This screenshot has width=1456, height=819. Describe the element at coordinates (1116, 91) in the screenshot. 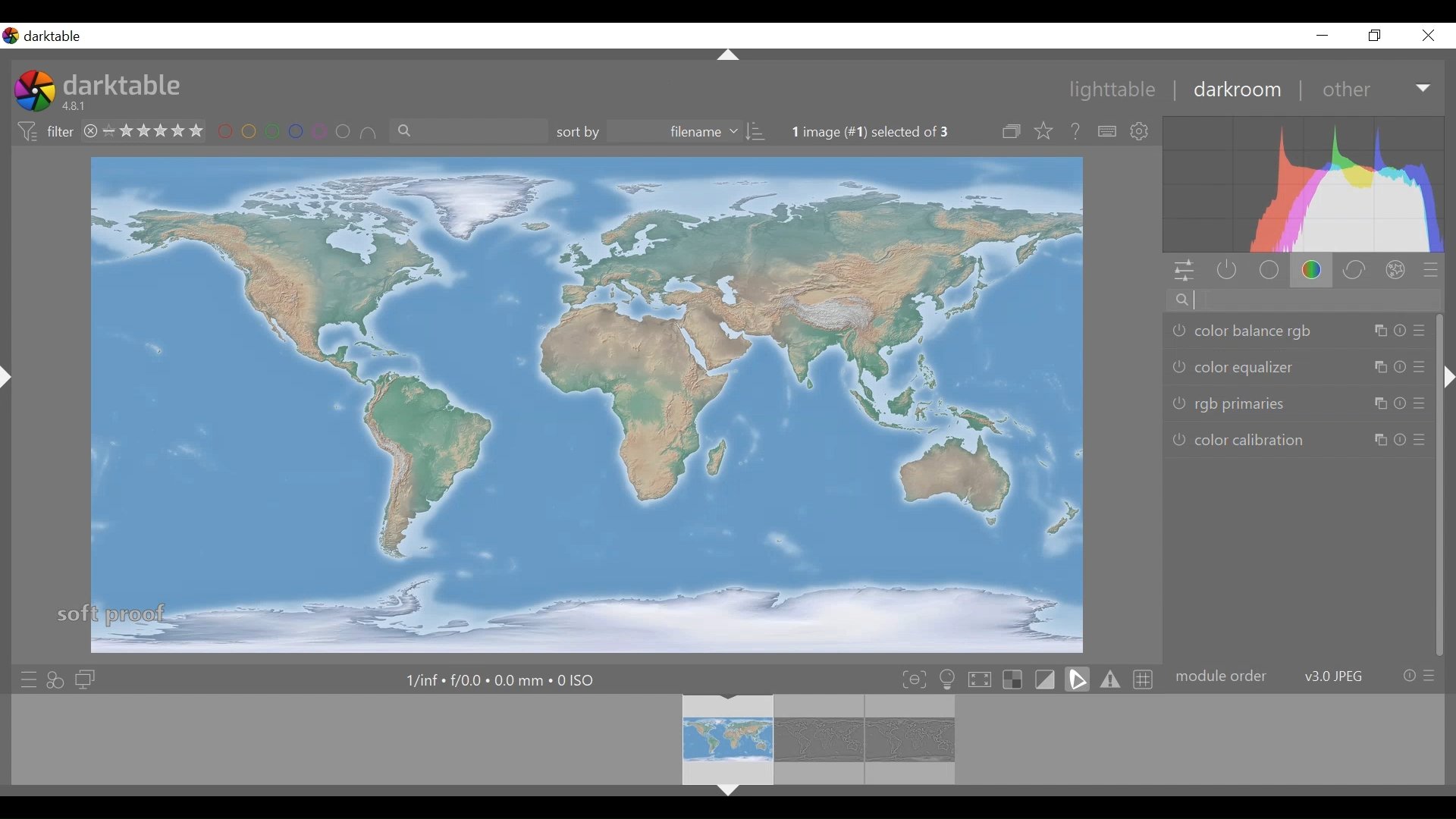

I see `lighttable` at that location.